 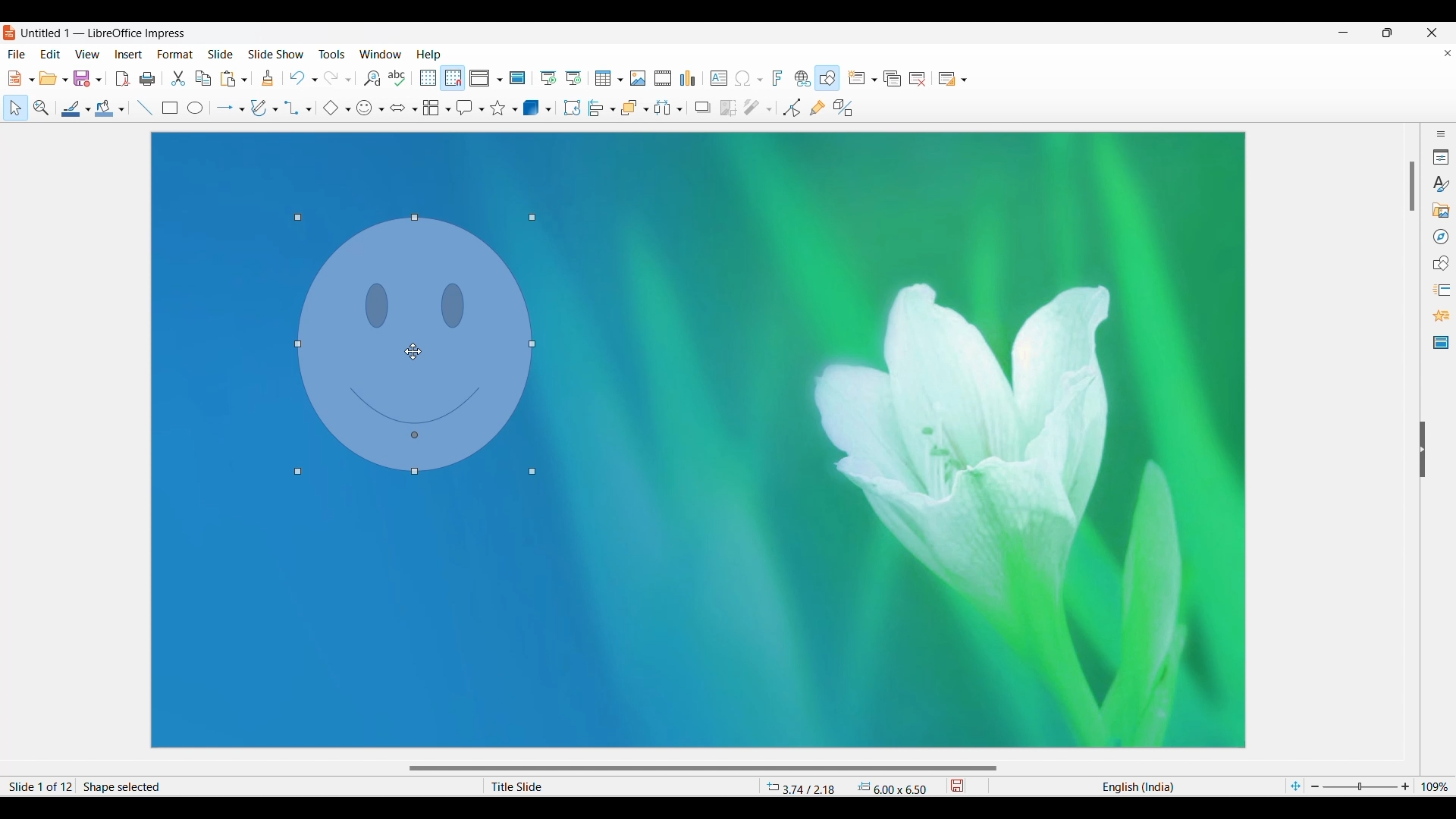 What do you see at coordinates (817, 108) in the screenshot?
I see `Show gluepoint functions` at bounding box center [817, 108].